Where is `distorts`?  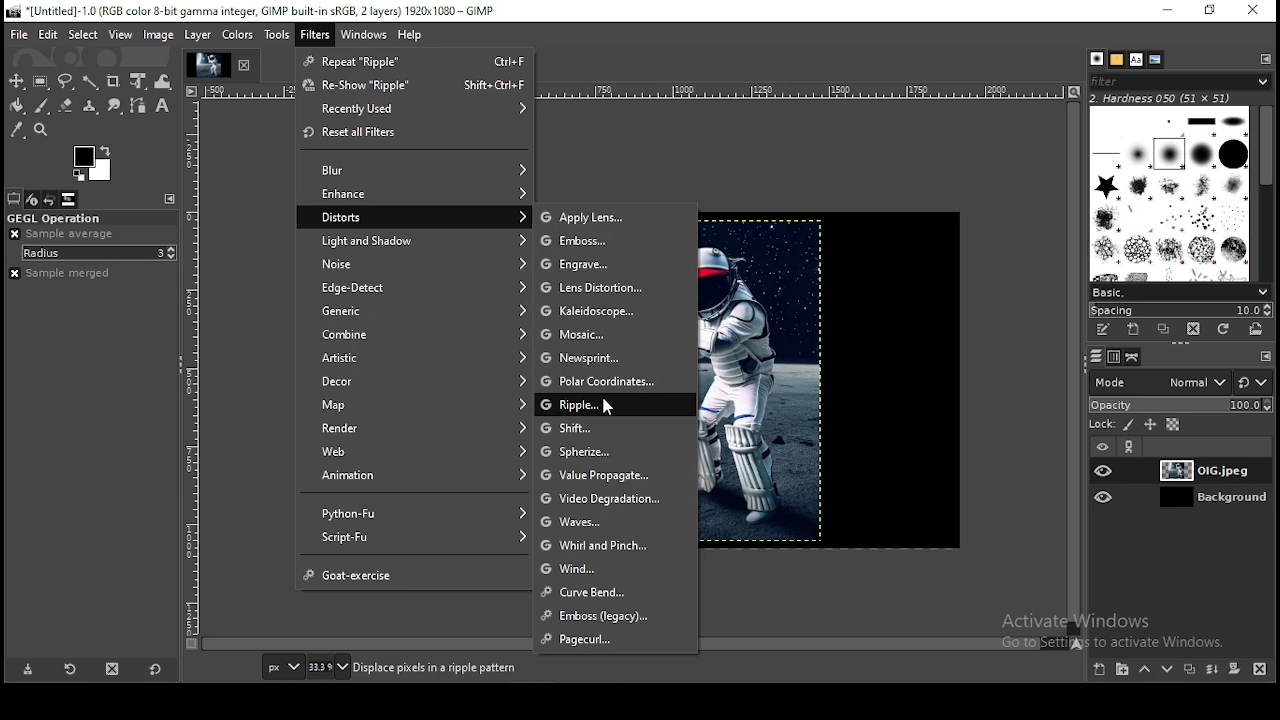
distorts is located at coordinates (425, 218).